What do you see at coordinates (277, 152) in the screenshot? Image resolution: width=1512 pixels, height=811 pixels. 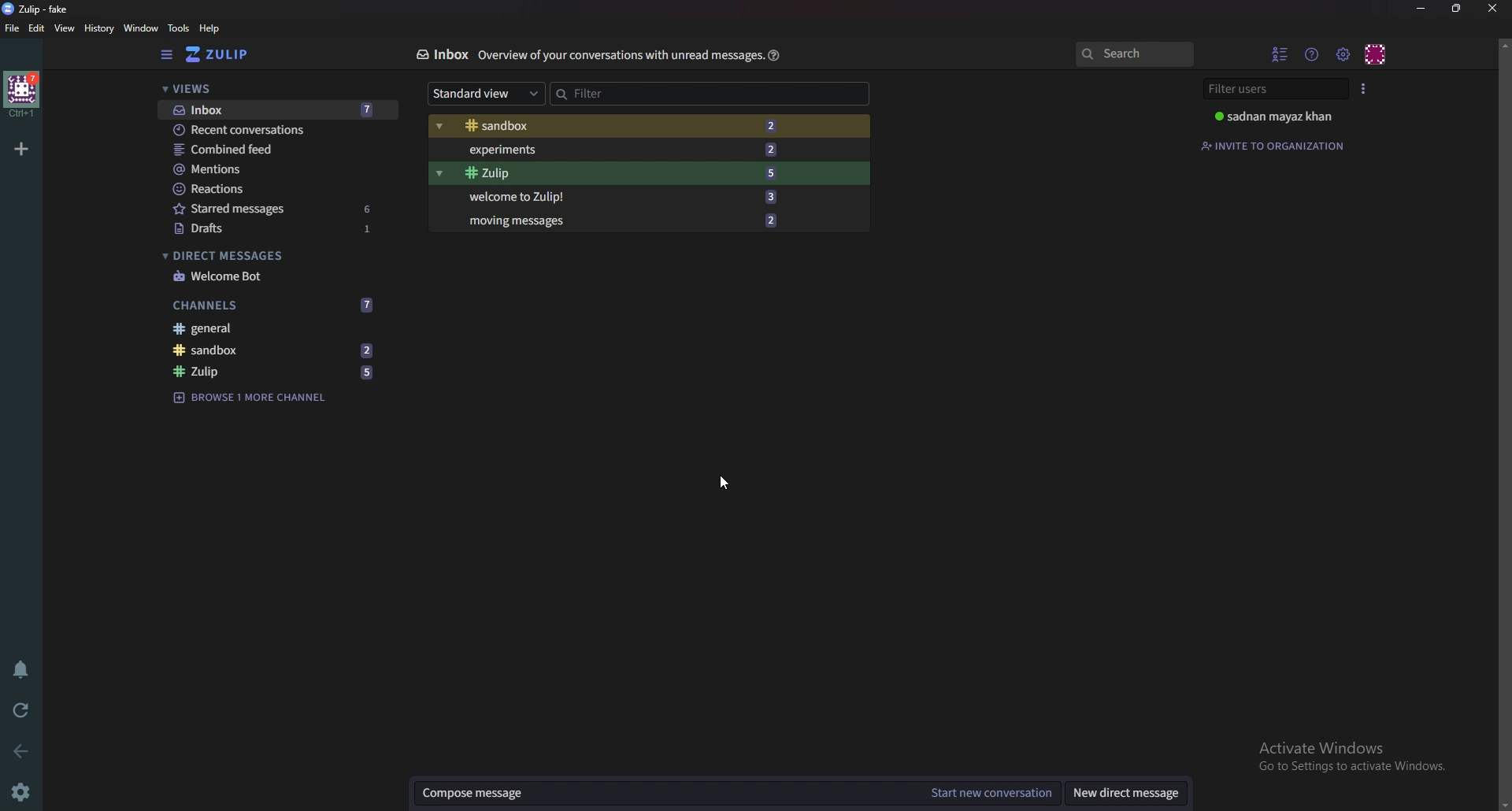 I see `Combined feed` at bounding box center [277, 152].